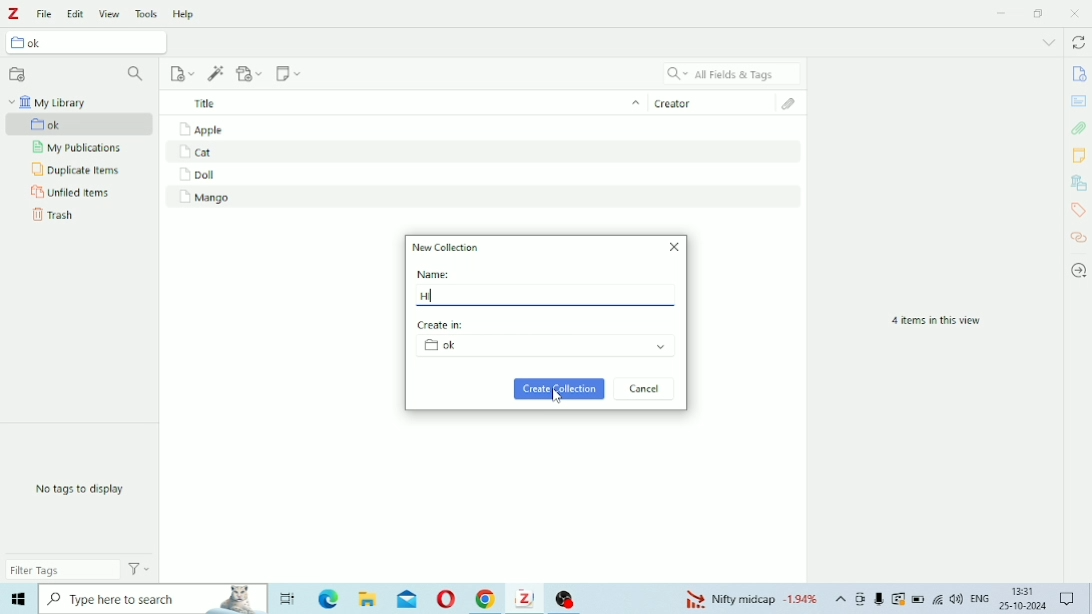 The height and width of the screenshot is (614, 1092). I want to click on Filter Tags, so click(63, 569).